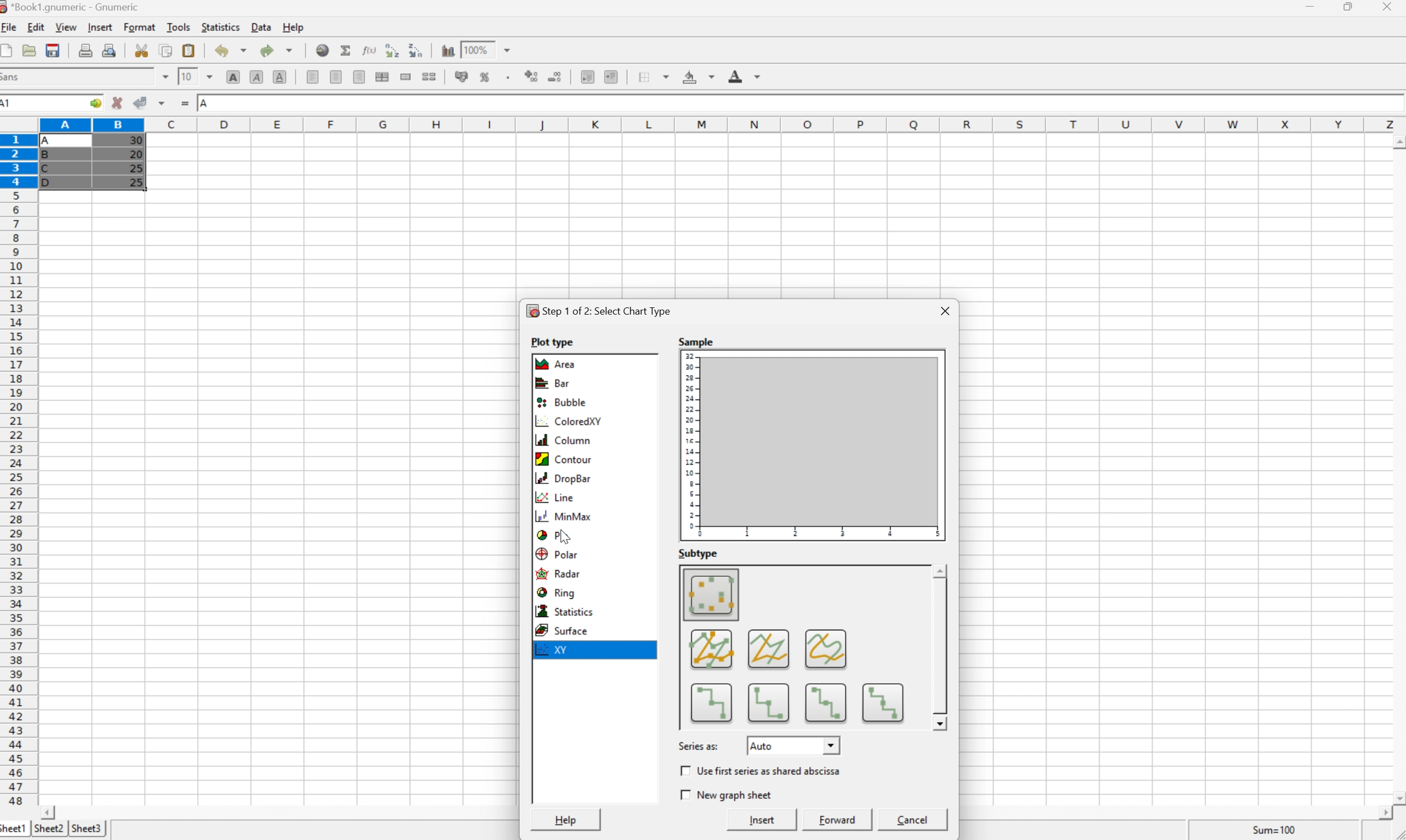  What do you see at coordinates (166, 52) in the screenshot?
I see `Copy the selection` at bounding box center [166, 52].